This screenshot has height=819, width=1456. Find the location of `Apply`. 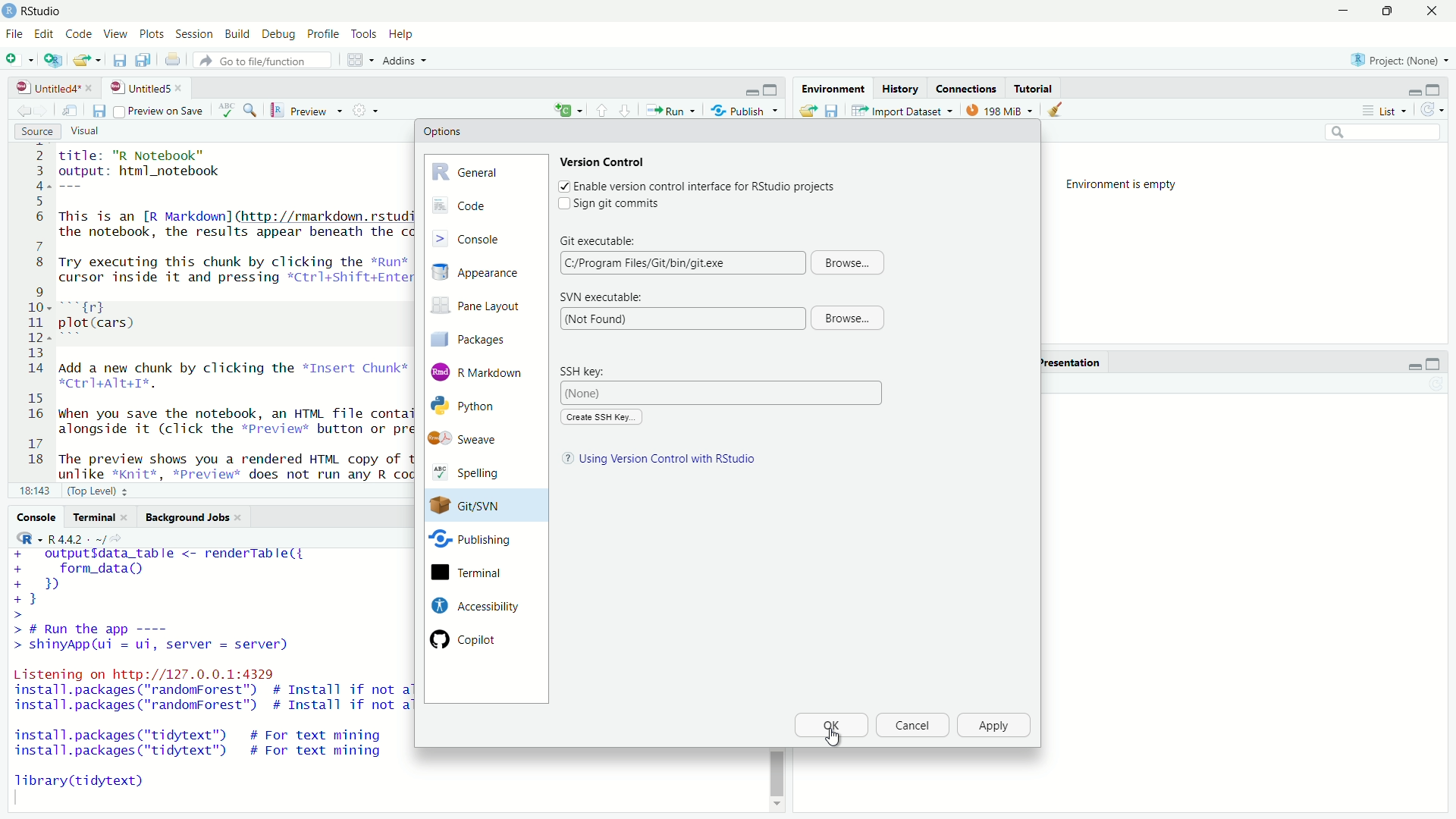

Apply is located at coordinates (995, 726).